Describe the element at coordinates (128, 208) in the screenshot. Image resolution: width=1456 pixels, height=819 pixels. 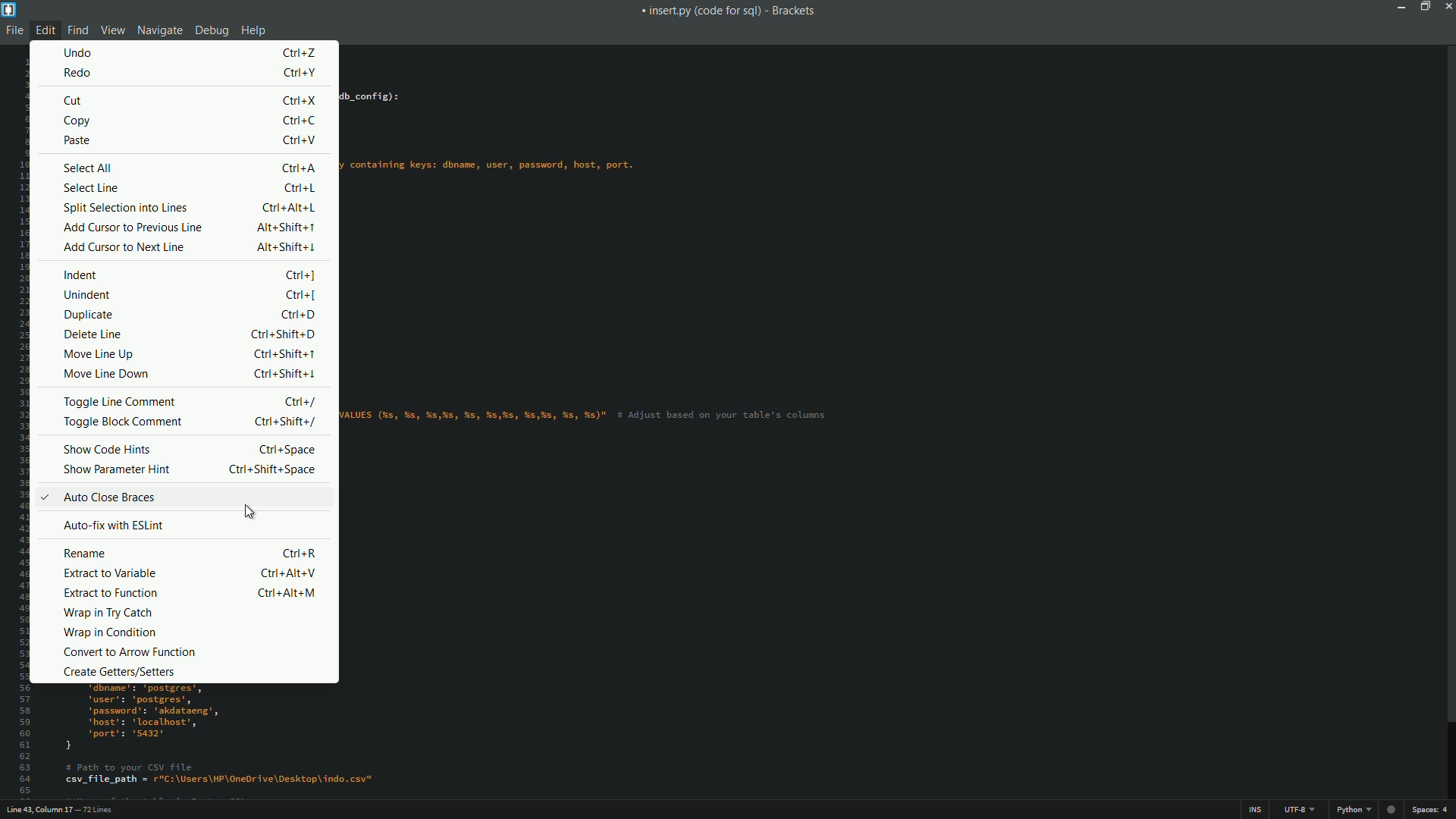
I see `split selection into lines` at that location.